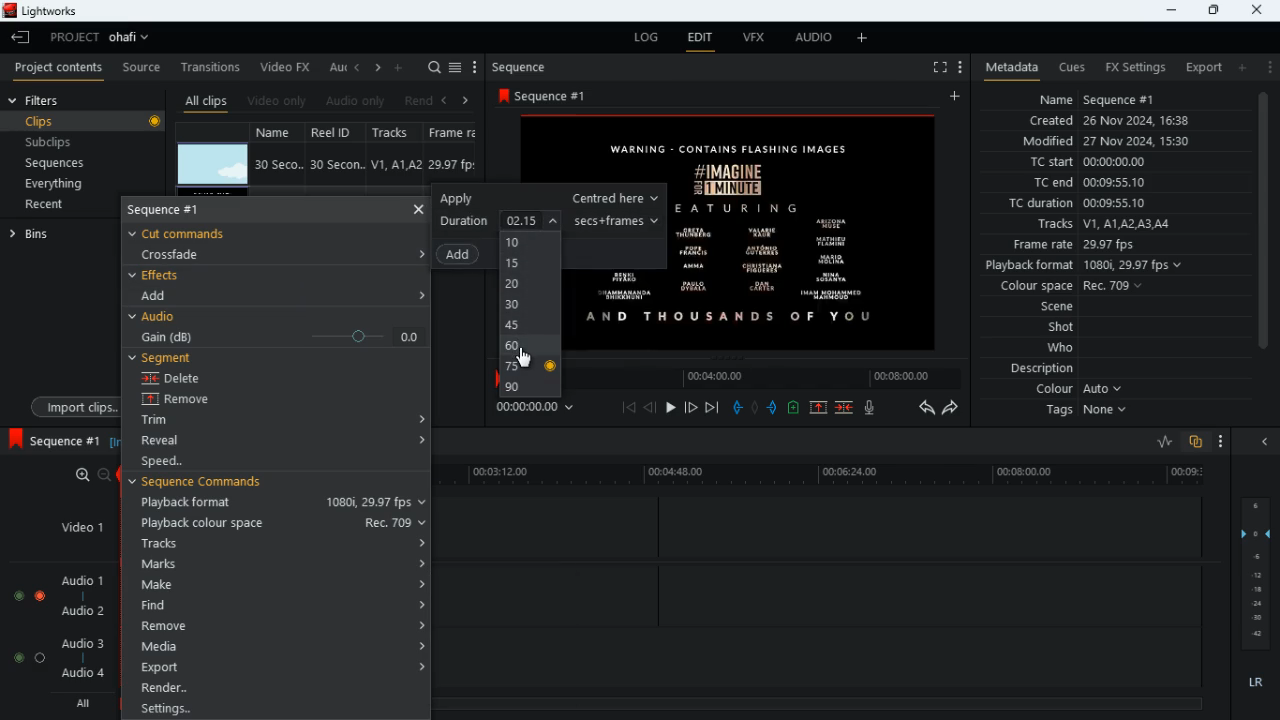 This screenshot has width=1280, height=720. I want to click on sequence commands, so click(211, 485).